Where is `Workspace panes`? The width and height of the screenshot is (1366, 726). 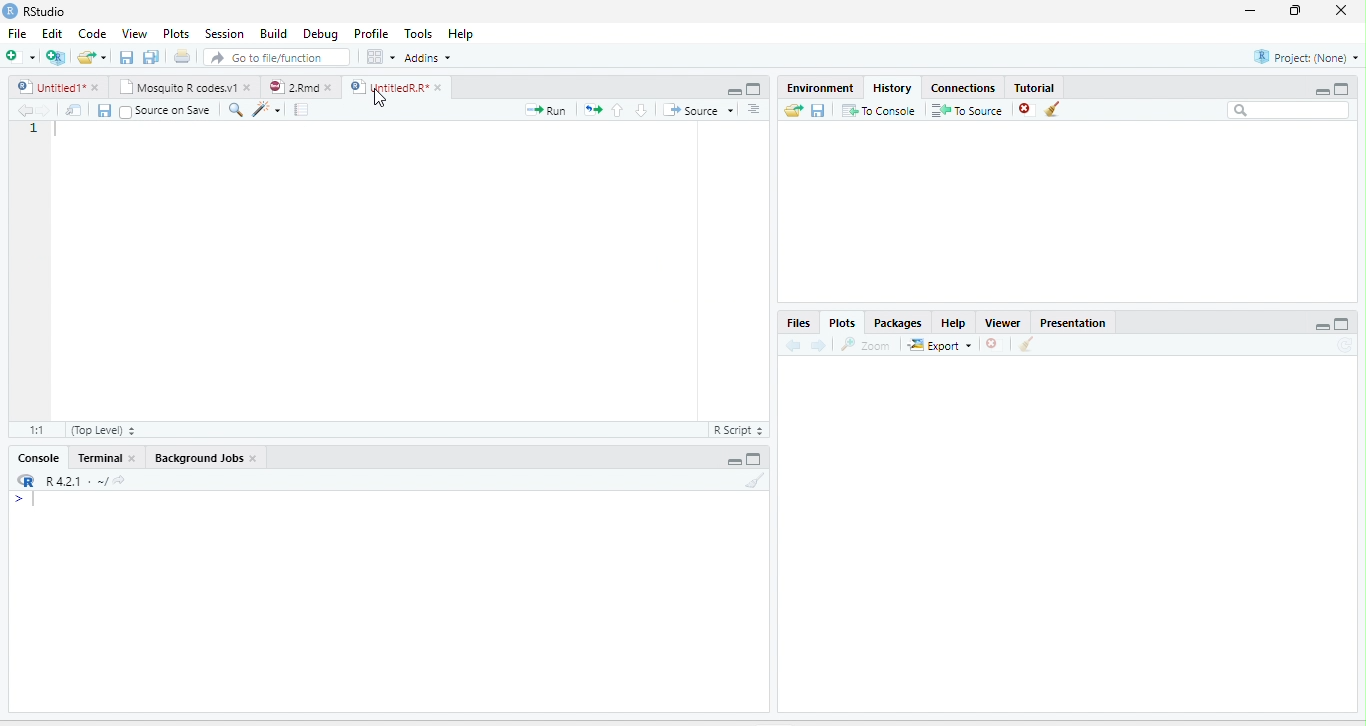 Workspace panes is located at coordinates (379, 56).